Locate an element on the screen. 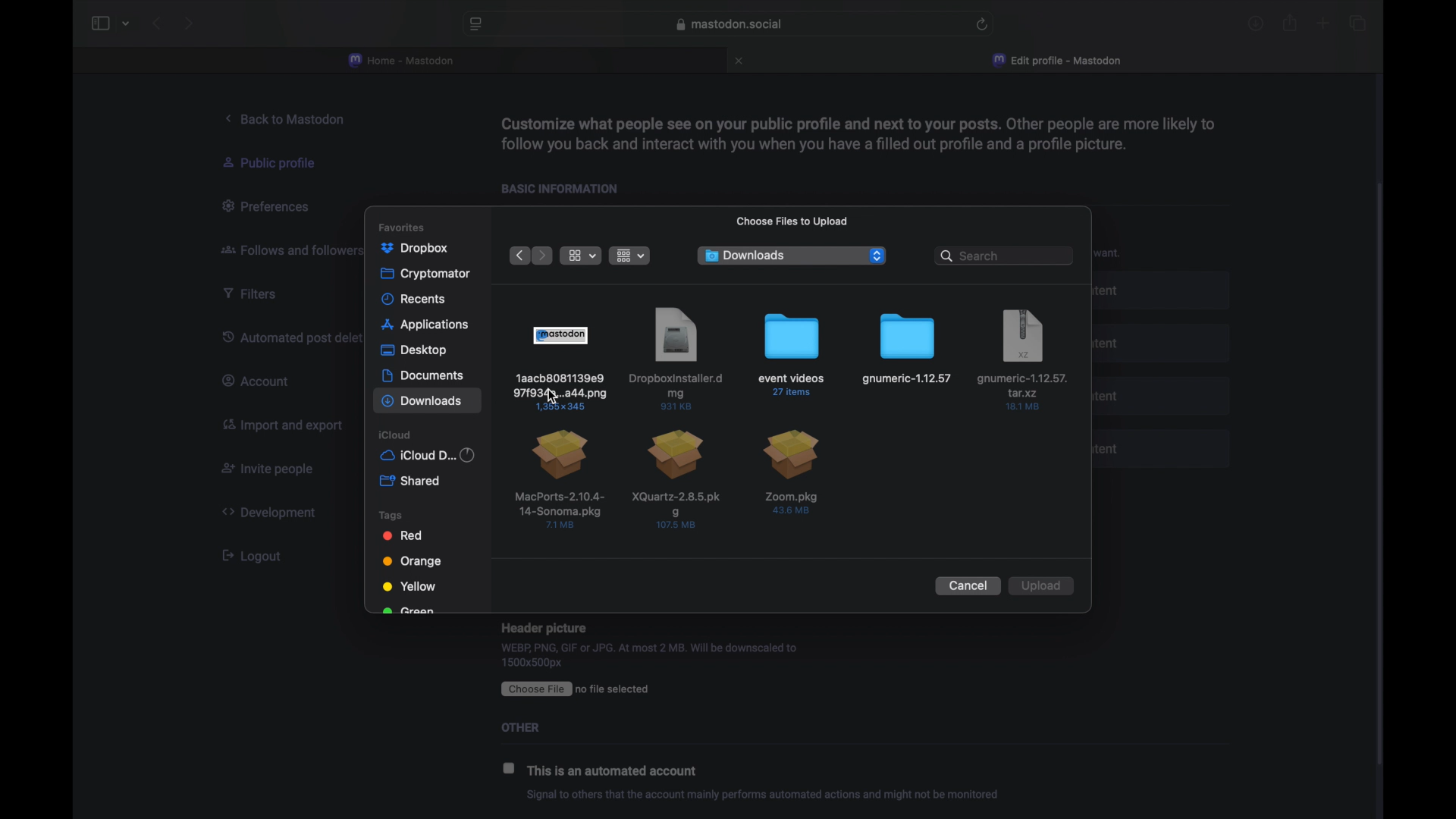 Image resolution: width=1456 pixels, height=819 pixels. dropdown is located at coordinates (877, 256).